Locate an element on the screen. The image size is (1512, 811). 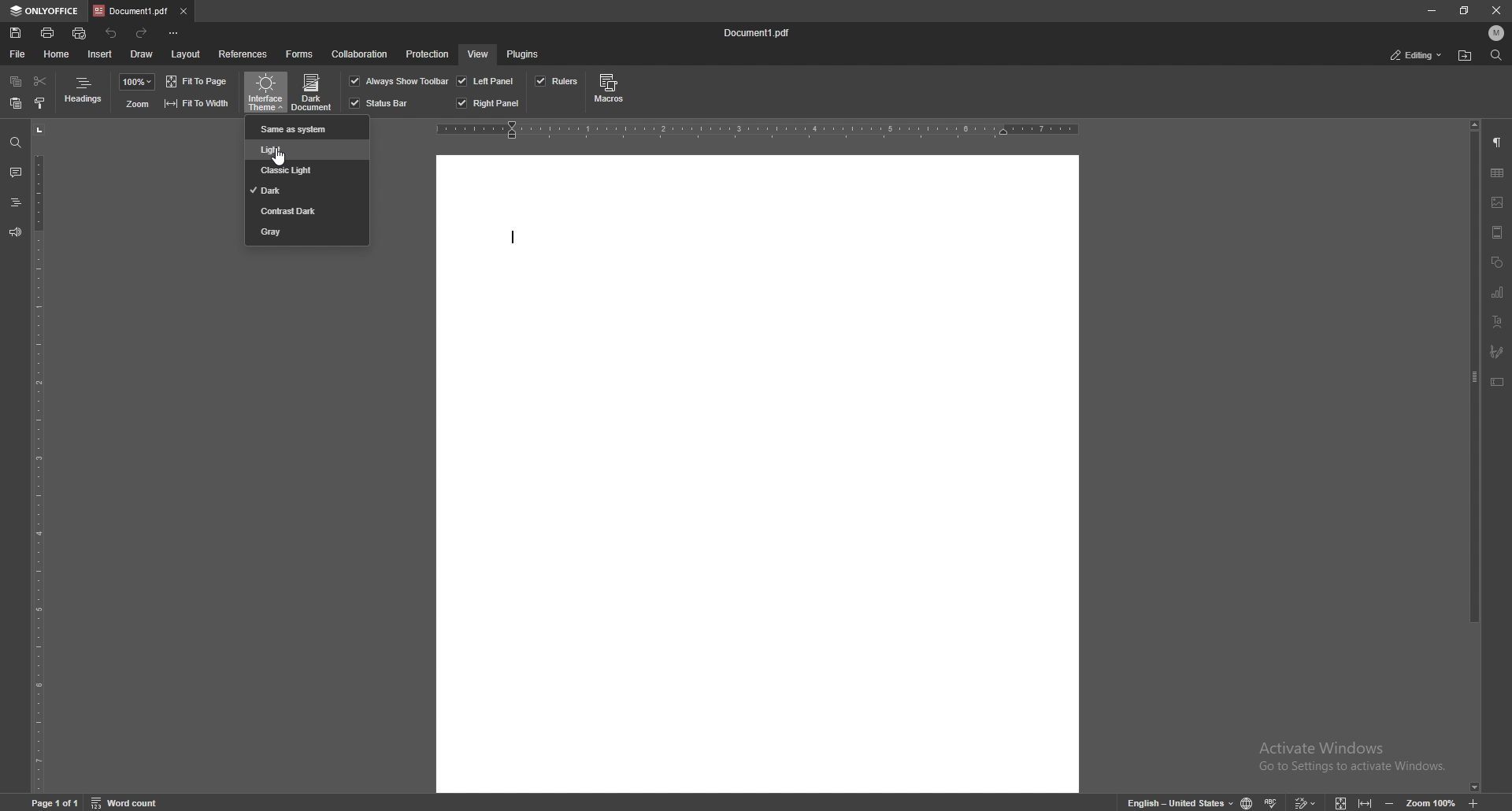
zoom in is located at coordinates (1476, 802).